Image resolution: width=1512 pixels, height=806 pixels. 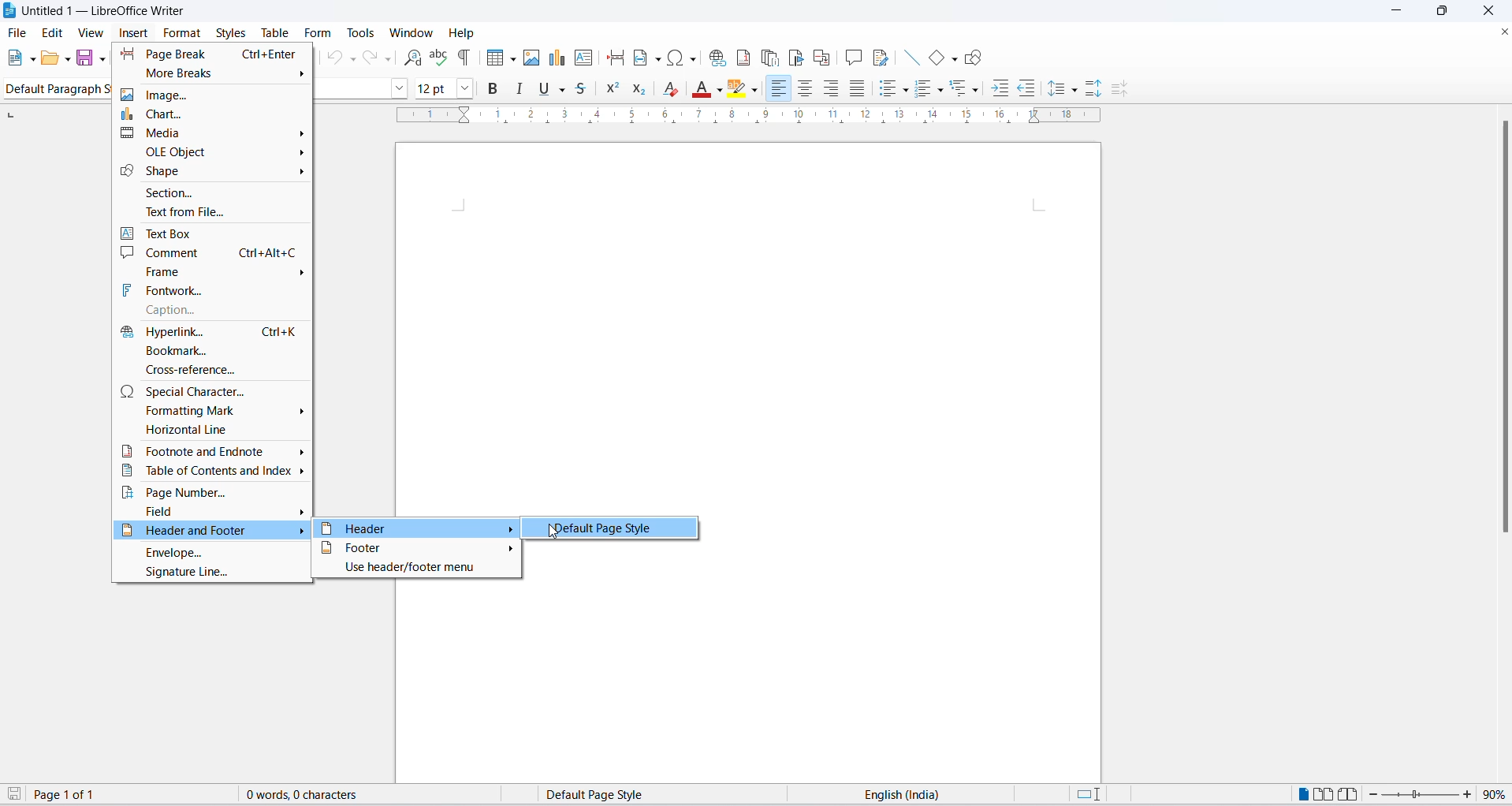 What do you see at coordinates (215, 114) in the screenshot?
I see `chart` at bounding box center [215, 114].